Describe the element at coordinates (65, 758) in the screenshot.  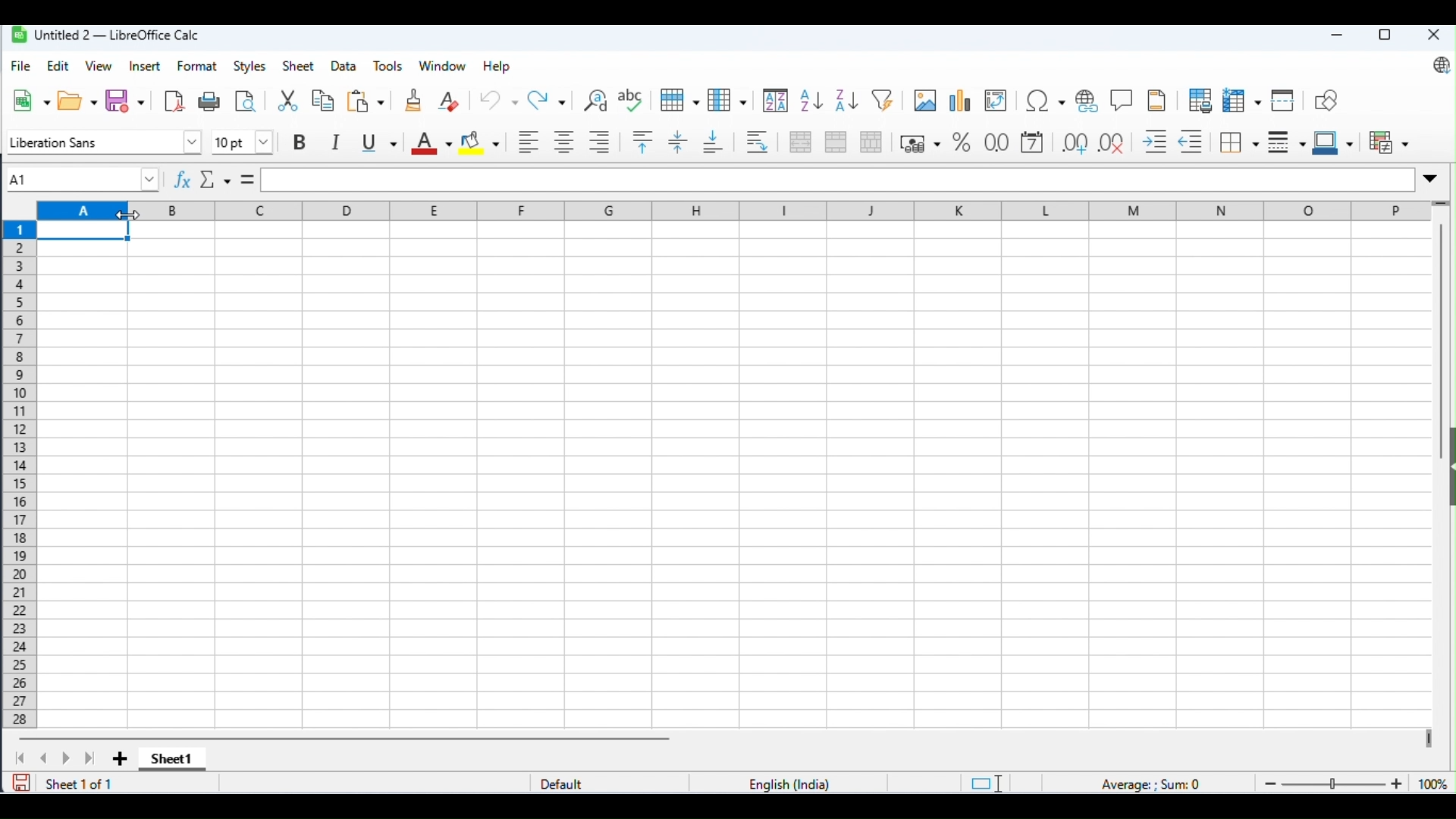
I see `next sheet` at that location.